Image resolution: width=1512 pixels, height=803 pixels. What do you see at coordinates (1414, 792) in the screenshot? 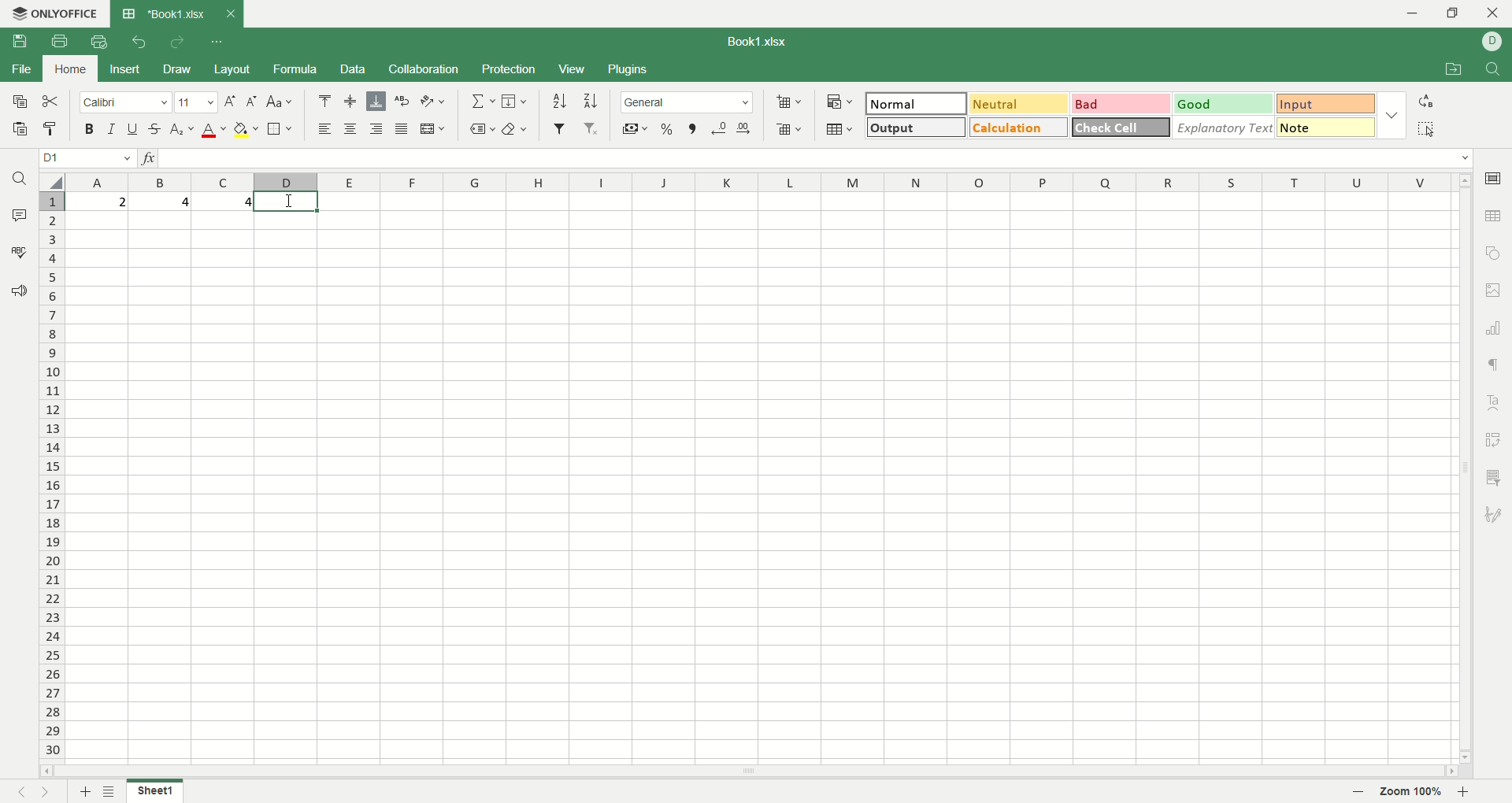
I see `zoom factor` at bounding box center [1414, 792].